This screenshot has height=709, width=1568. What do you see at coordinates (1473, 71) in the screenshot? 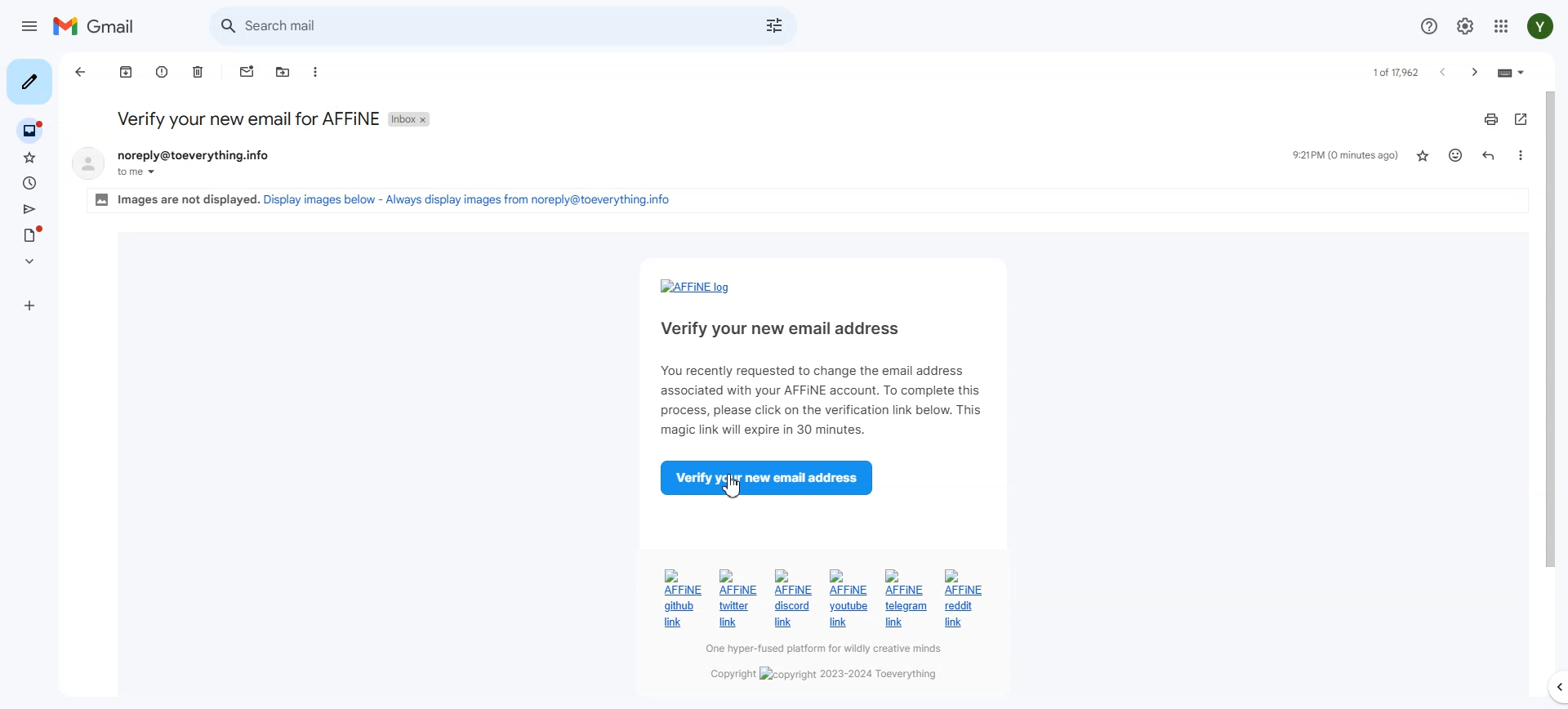
I see `older` at bounding box center [1473, 71].